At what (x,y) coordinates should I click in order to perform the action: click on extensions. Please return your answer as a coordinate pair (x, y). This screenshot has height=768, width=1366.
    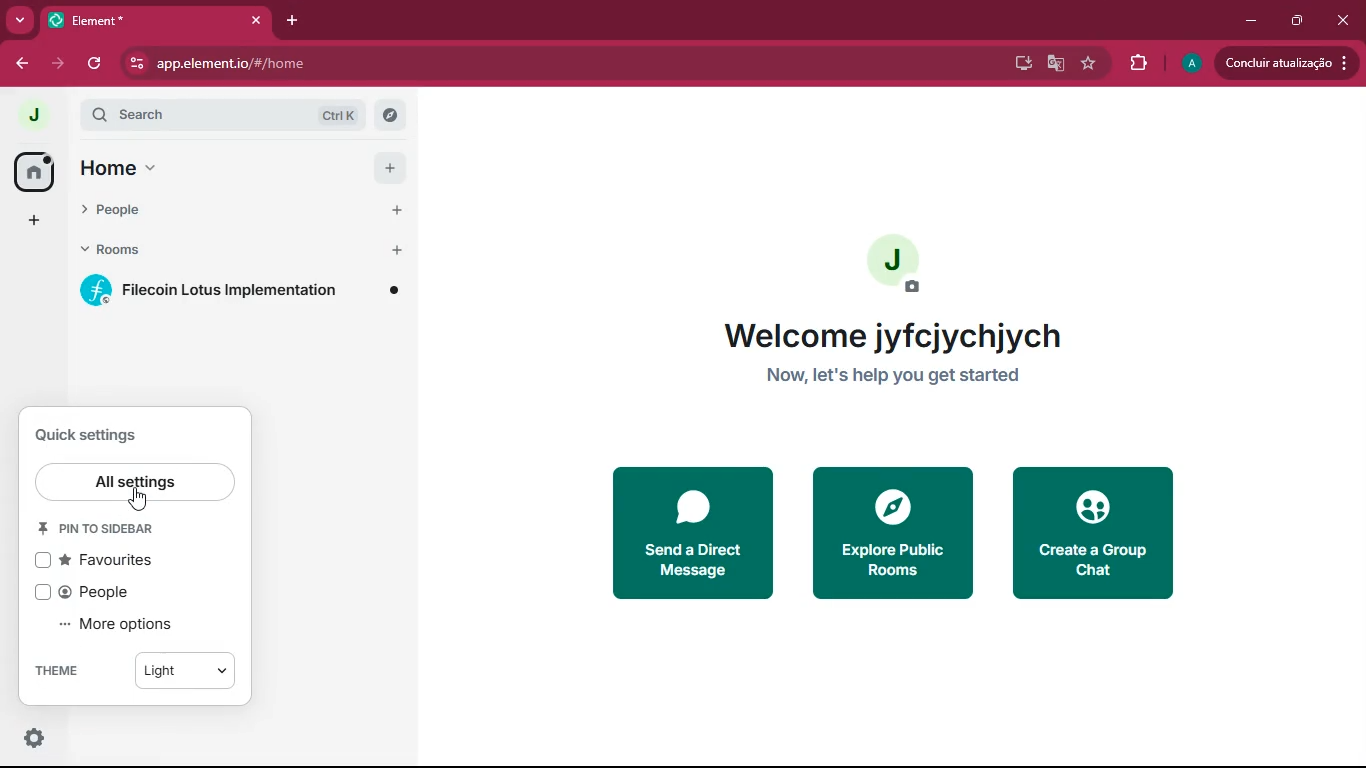
    Looking at the image, I should click on (1141, 65).